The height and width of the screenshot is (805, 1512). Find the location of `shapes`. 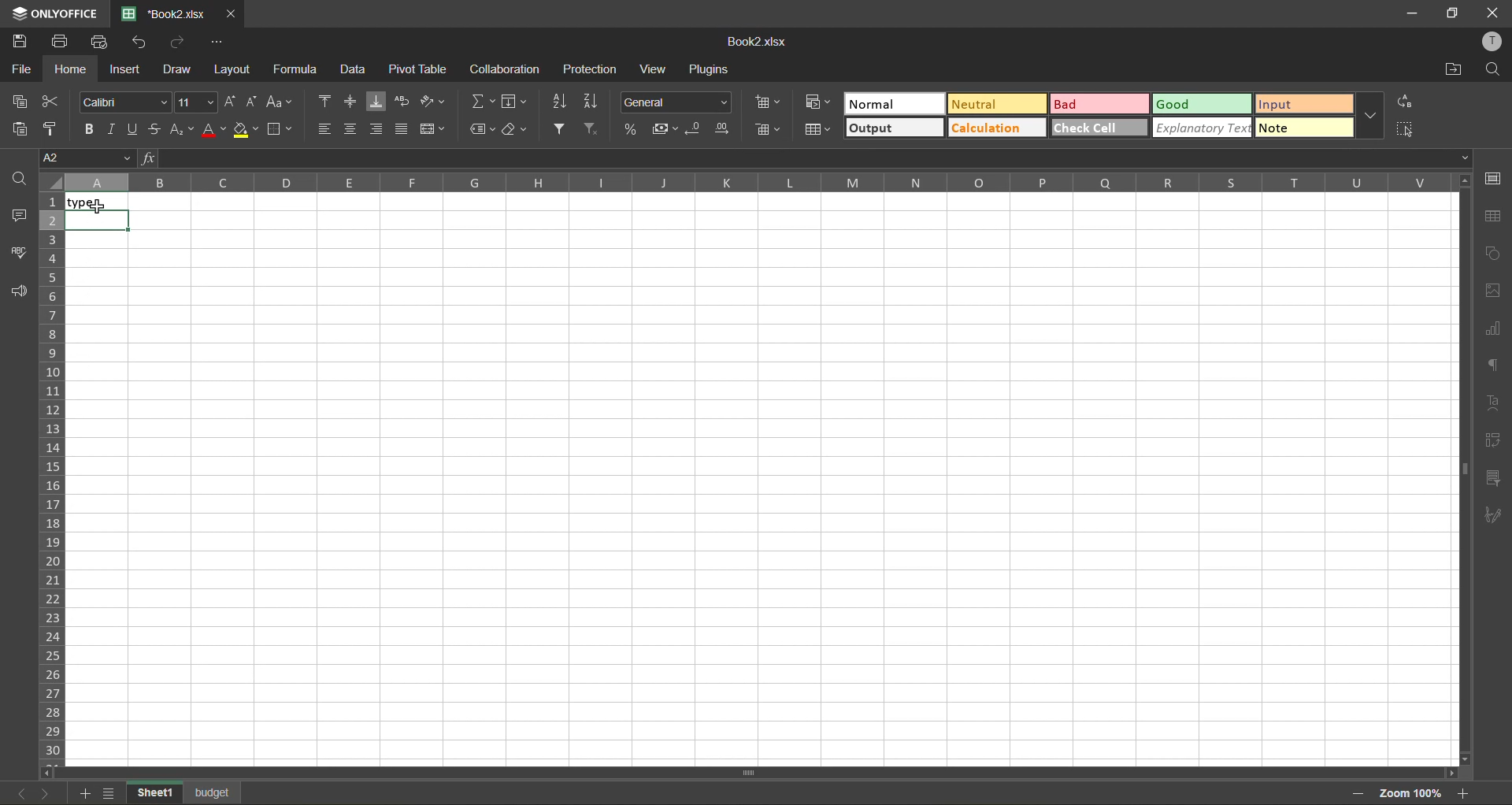

shapes is located at coordinates (1497, 254).